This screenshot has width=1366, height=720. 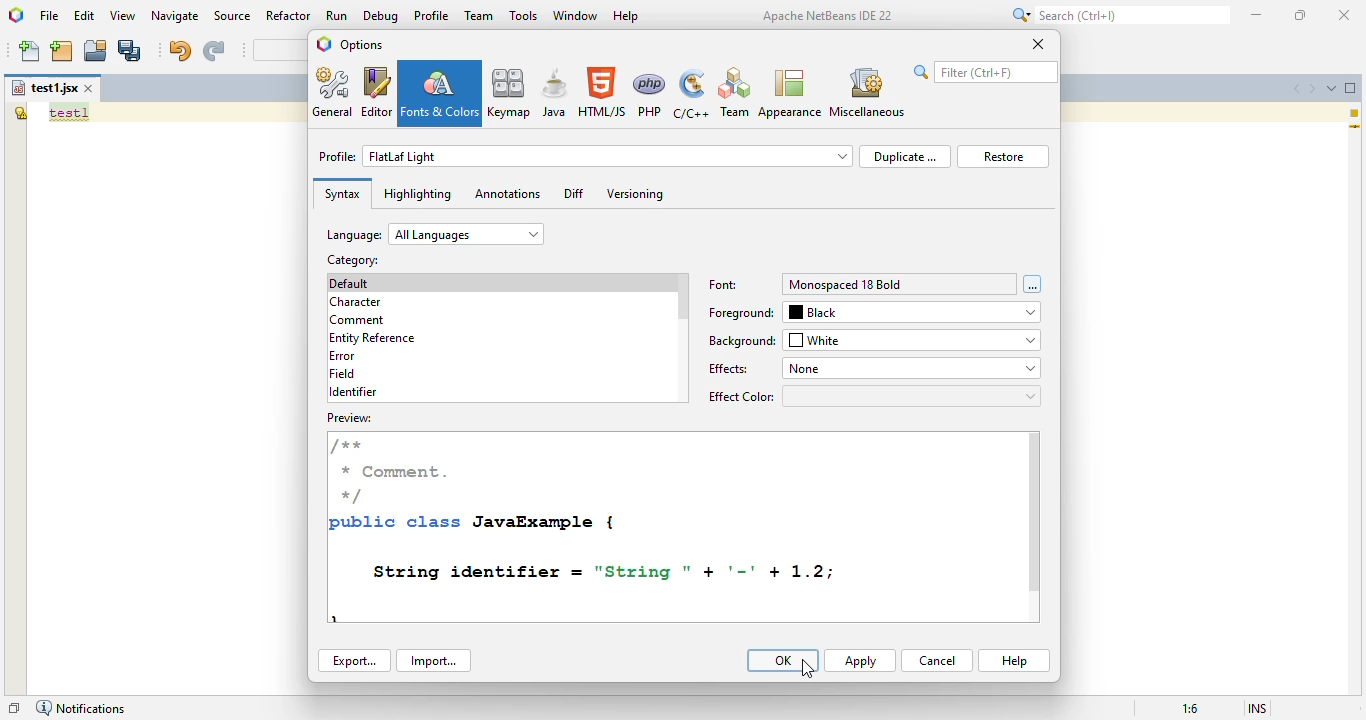 I want to click on keymap, so click(x=509, y=92).